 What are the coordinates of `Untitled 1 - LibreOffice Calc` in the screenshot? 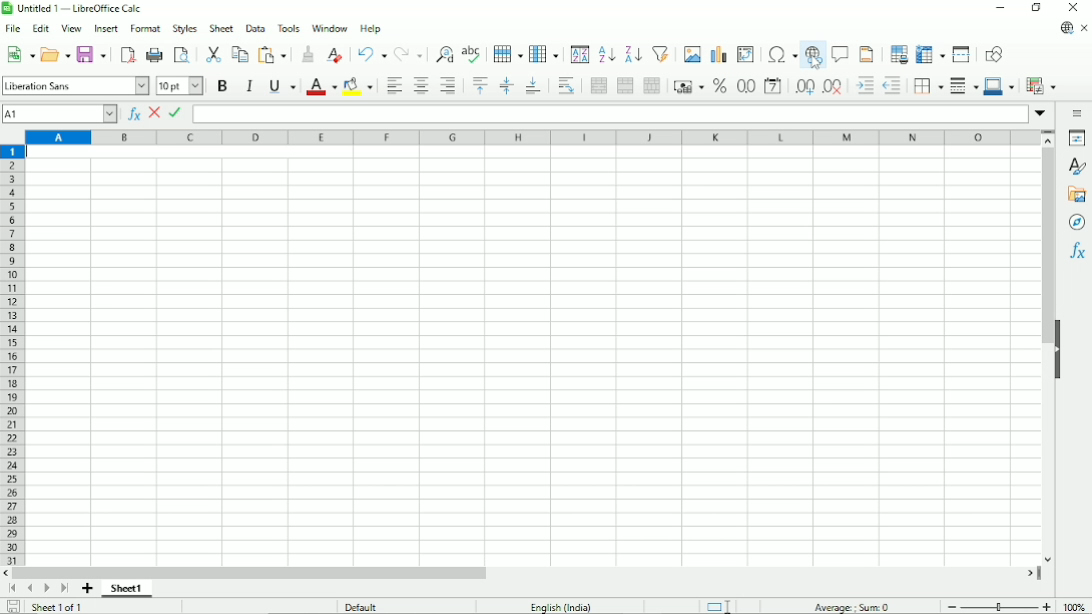 It's located at (76, 9).